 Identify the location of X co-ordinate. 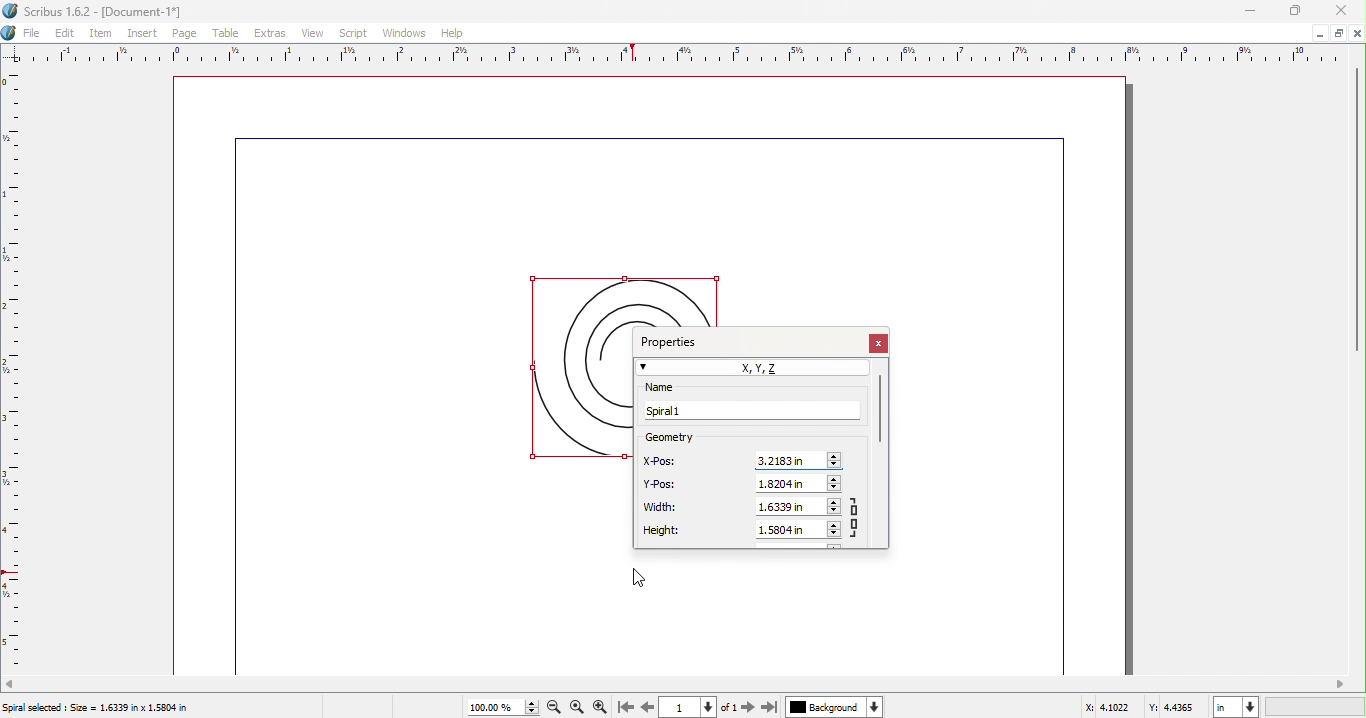
(1112, 708).